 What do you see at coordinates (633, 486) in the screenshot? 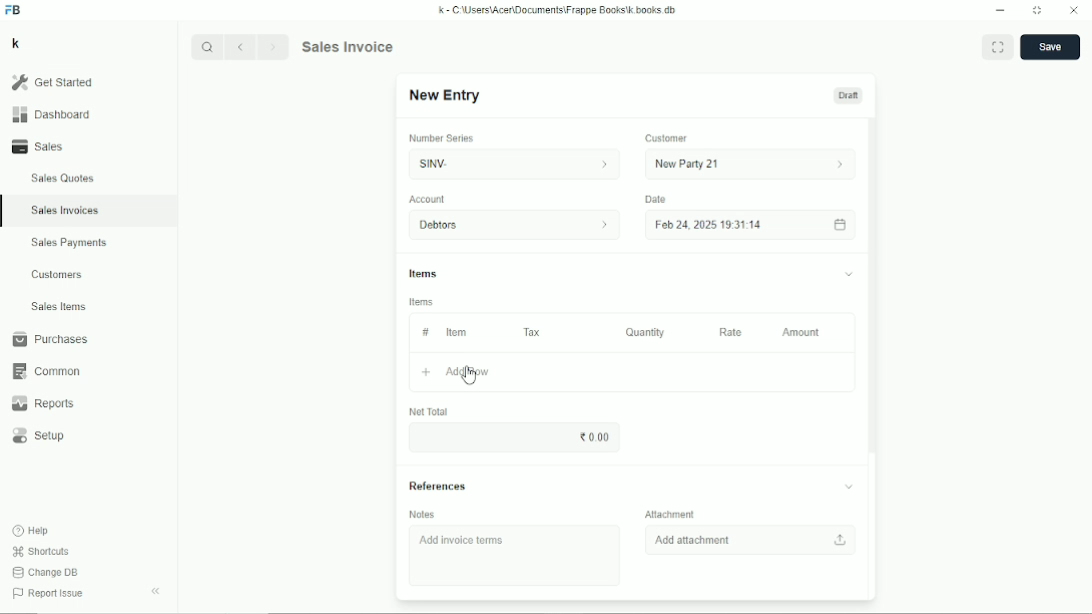
I see `References` at bounding box center [633, 486].